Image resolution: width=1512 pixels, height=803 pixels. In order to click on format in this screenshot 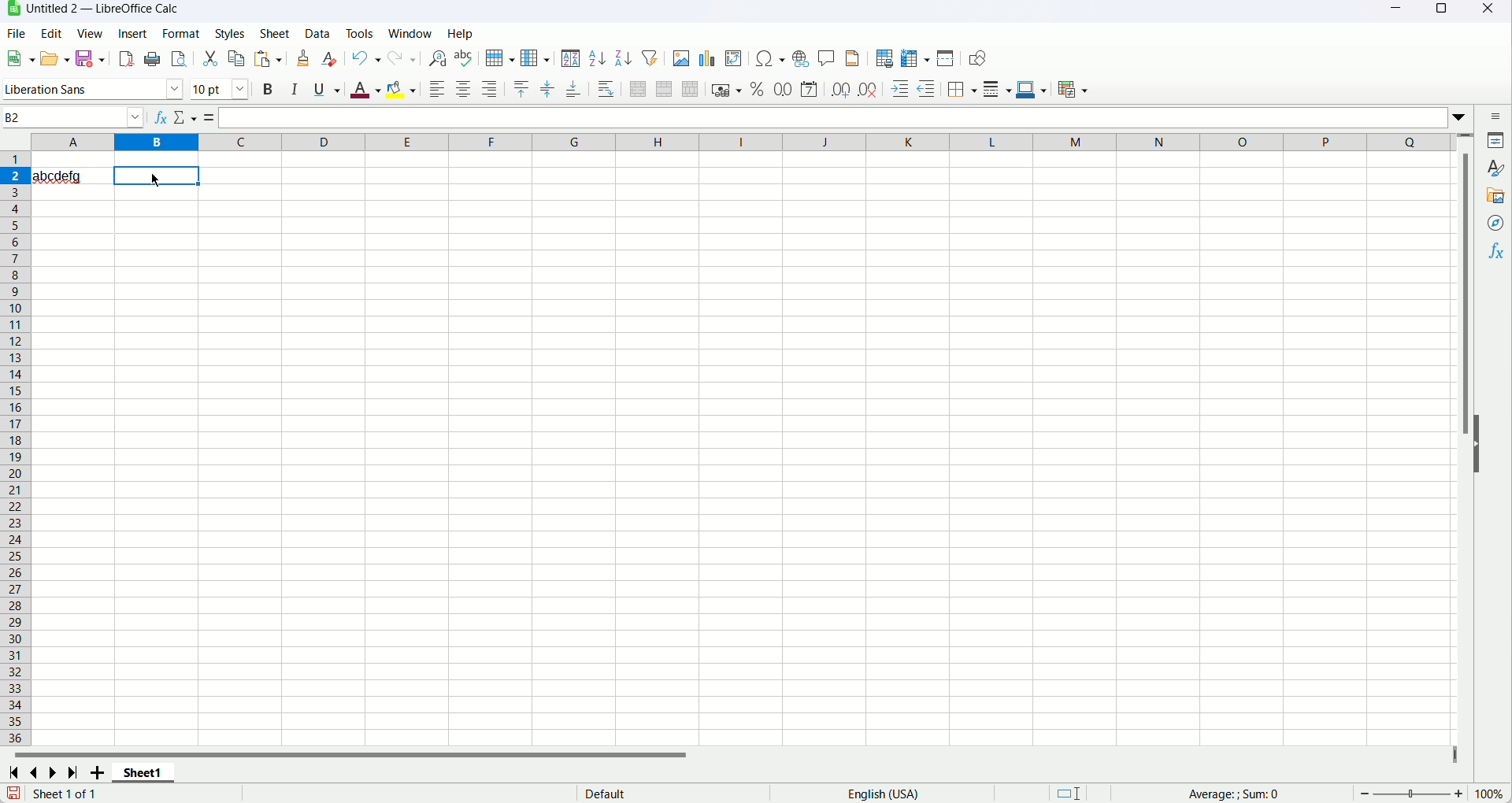, I will do `click(183, 34)`.